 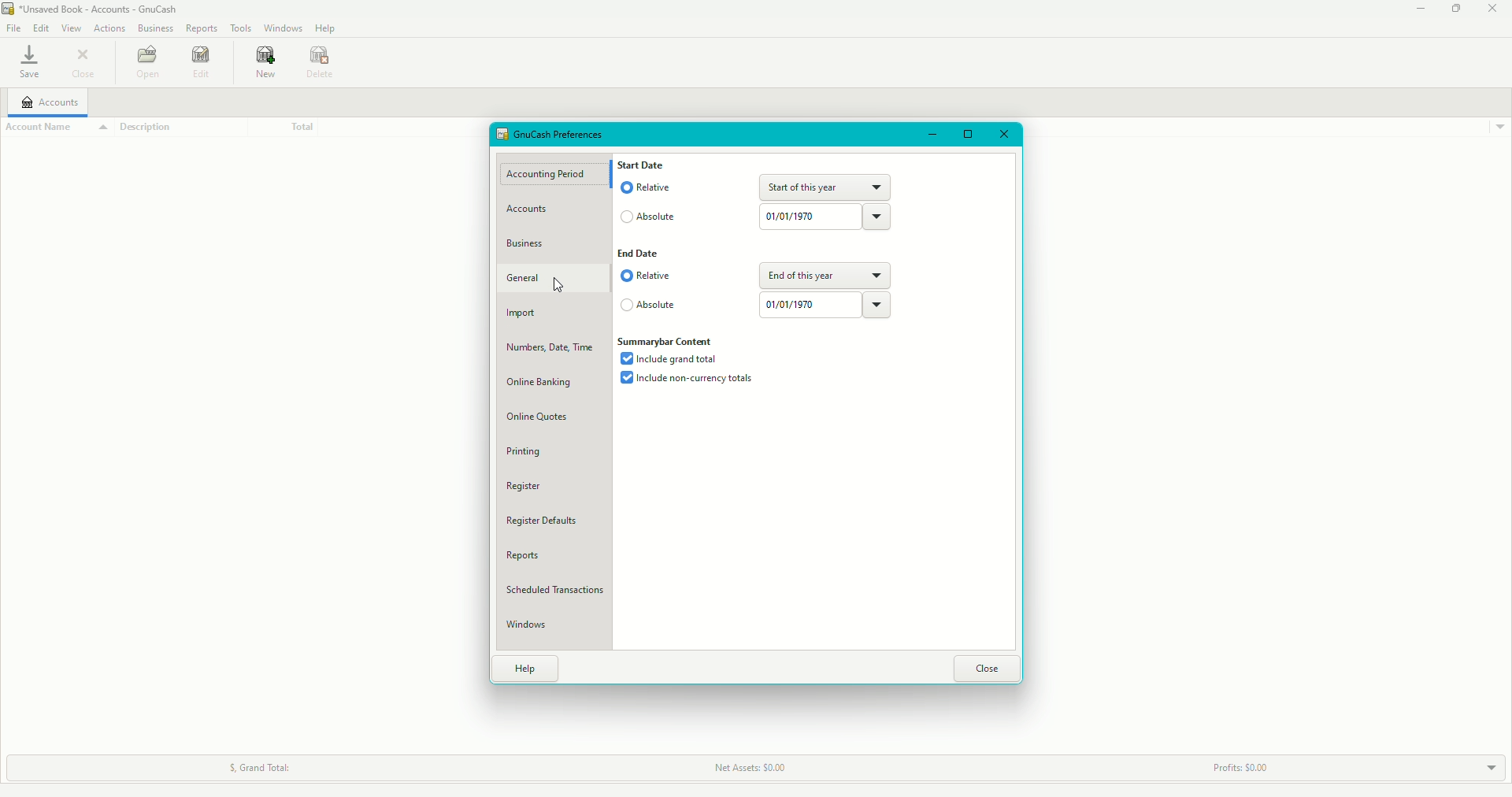 What do you see at coordinates (533, 280) in the screenshot?
I see `General` at bounding box center [533, 280].